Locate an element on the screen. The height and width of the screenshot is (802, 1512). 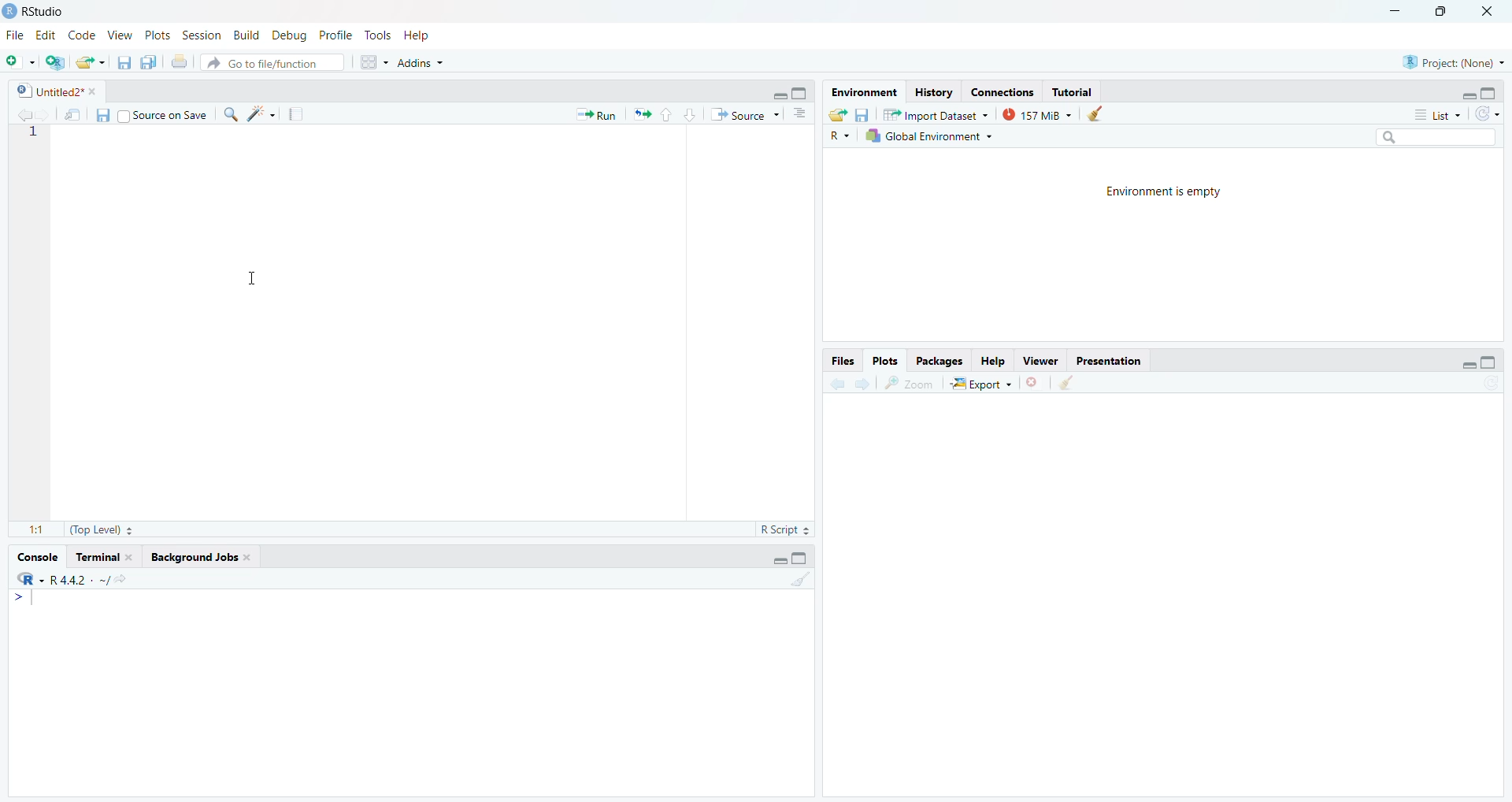
close is located at coordinates (1487, 12).